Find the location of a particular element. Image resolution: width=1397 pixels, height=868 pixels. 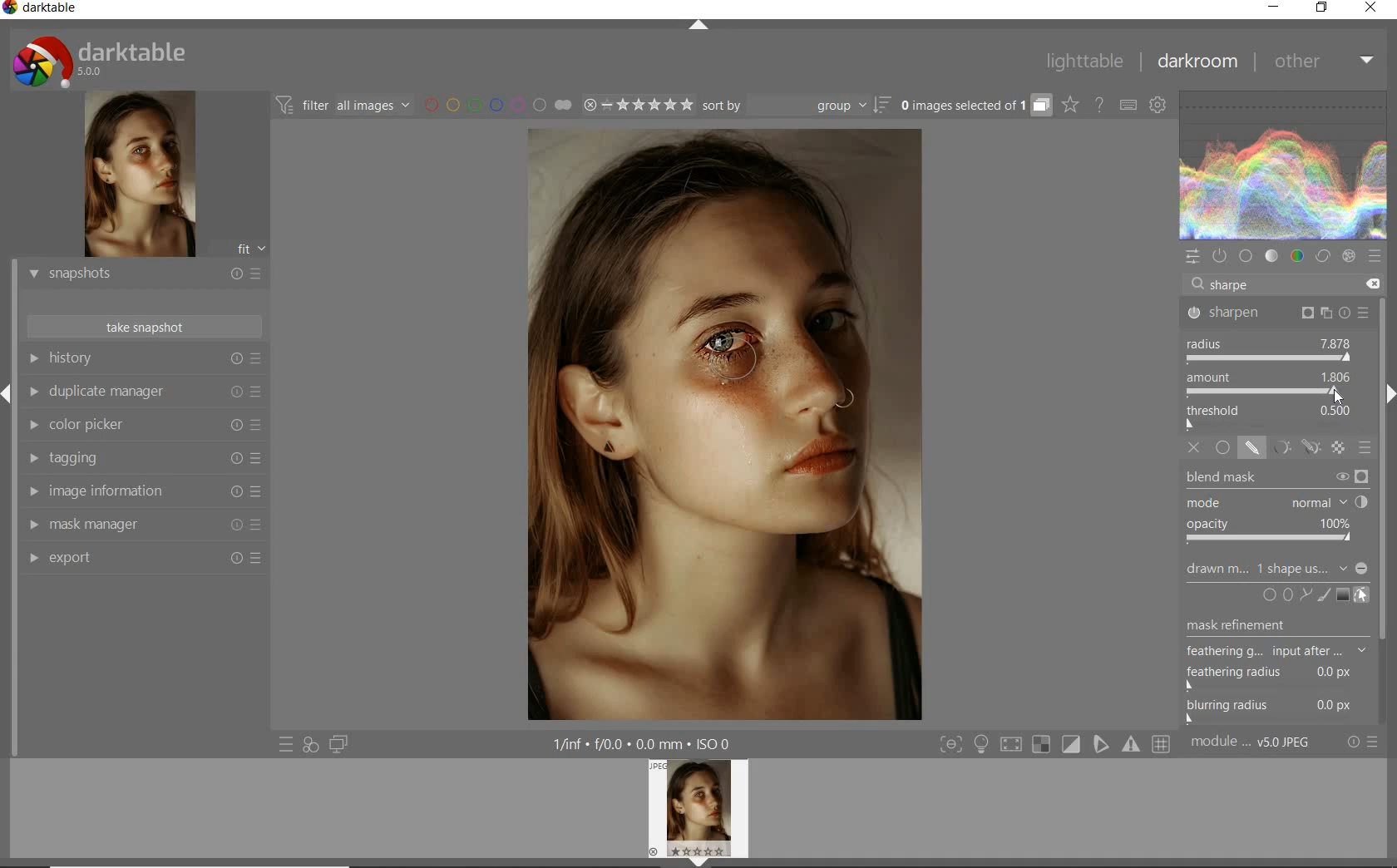

UNIFORMLY is located at coordinates (1224, 452).